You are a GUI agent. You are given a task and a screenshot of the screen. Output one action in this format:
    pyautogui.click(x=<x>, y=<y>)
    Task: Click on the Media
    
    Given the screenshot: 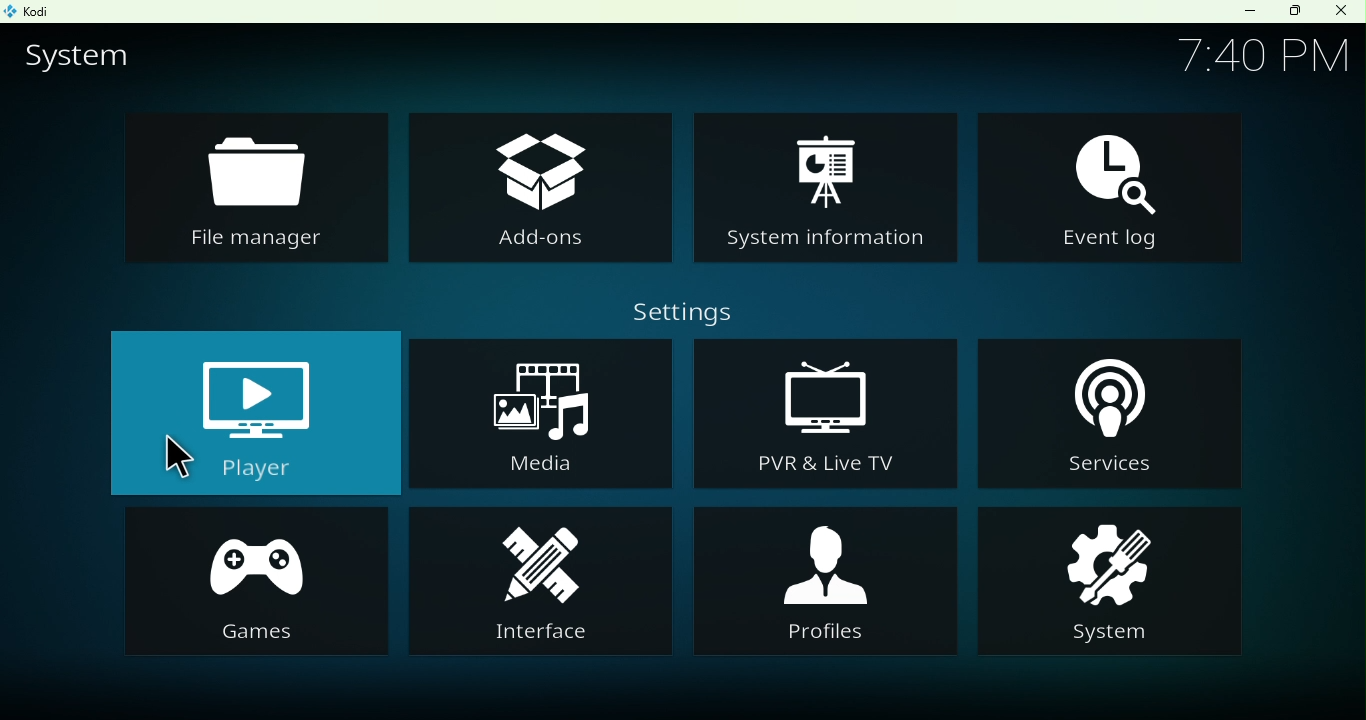 What is the action you would take?
    pyautogui.click(x=544, y=416)
    